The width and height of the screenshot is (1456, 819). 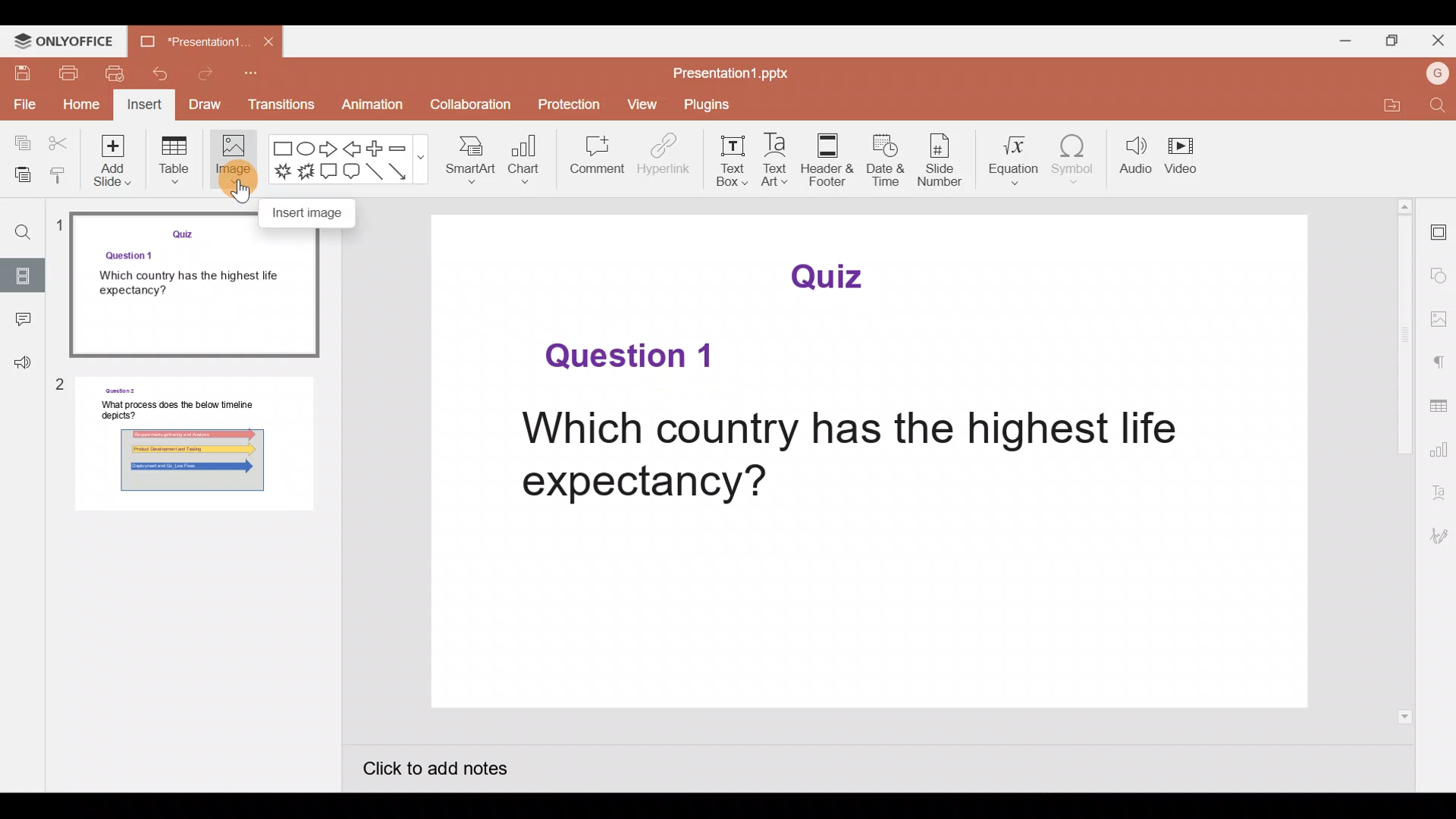 What do you see at coordinates (277, 173) in the screenshot?
I see `Explosion 1` at bounding box center [277, 173].